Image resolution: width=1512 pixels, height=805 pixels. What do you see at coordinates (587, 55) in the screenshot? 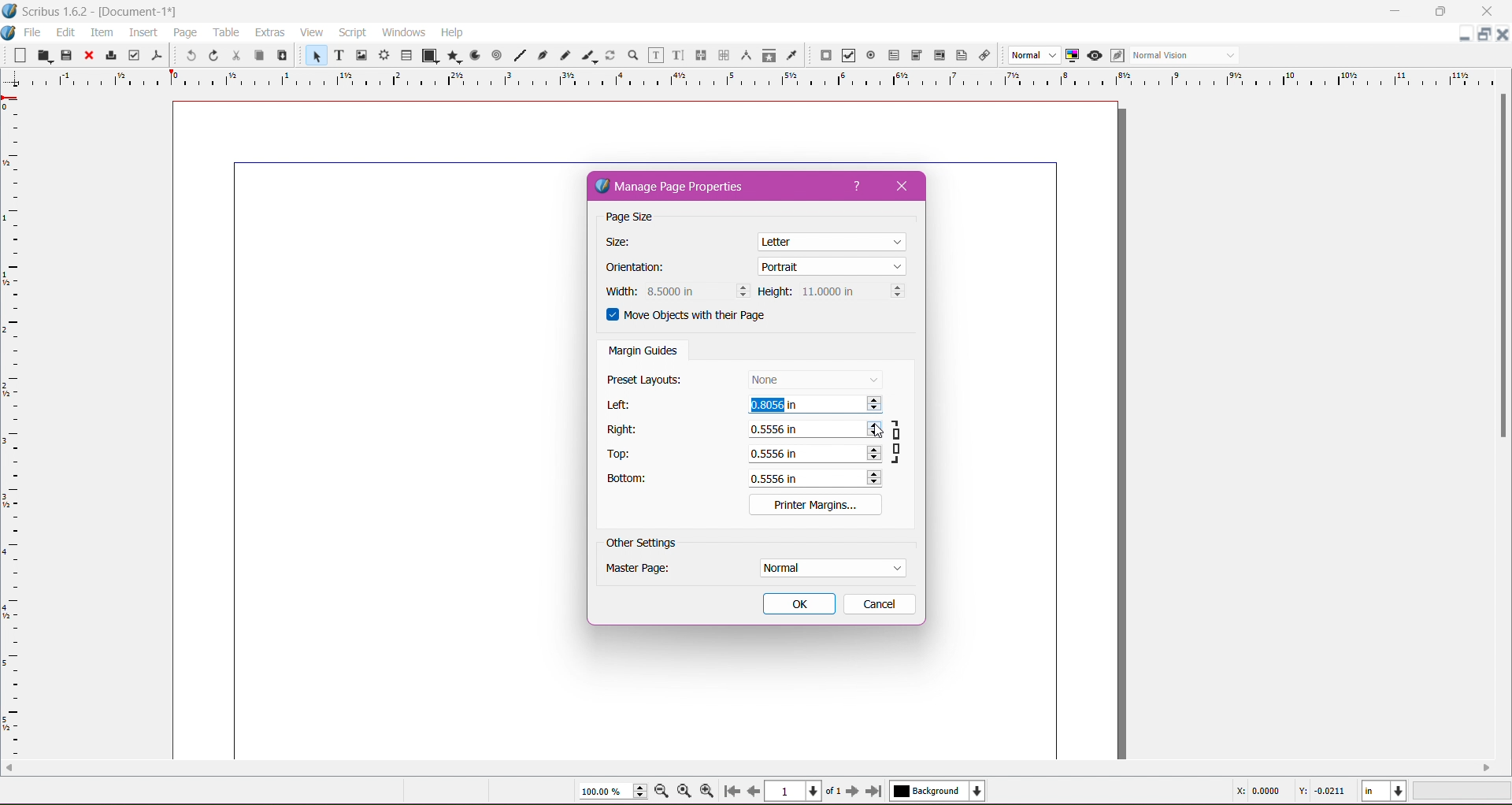
I see `Calligraphic Line` at bounding box center [587, 55].